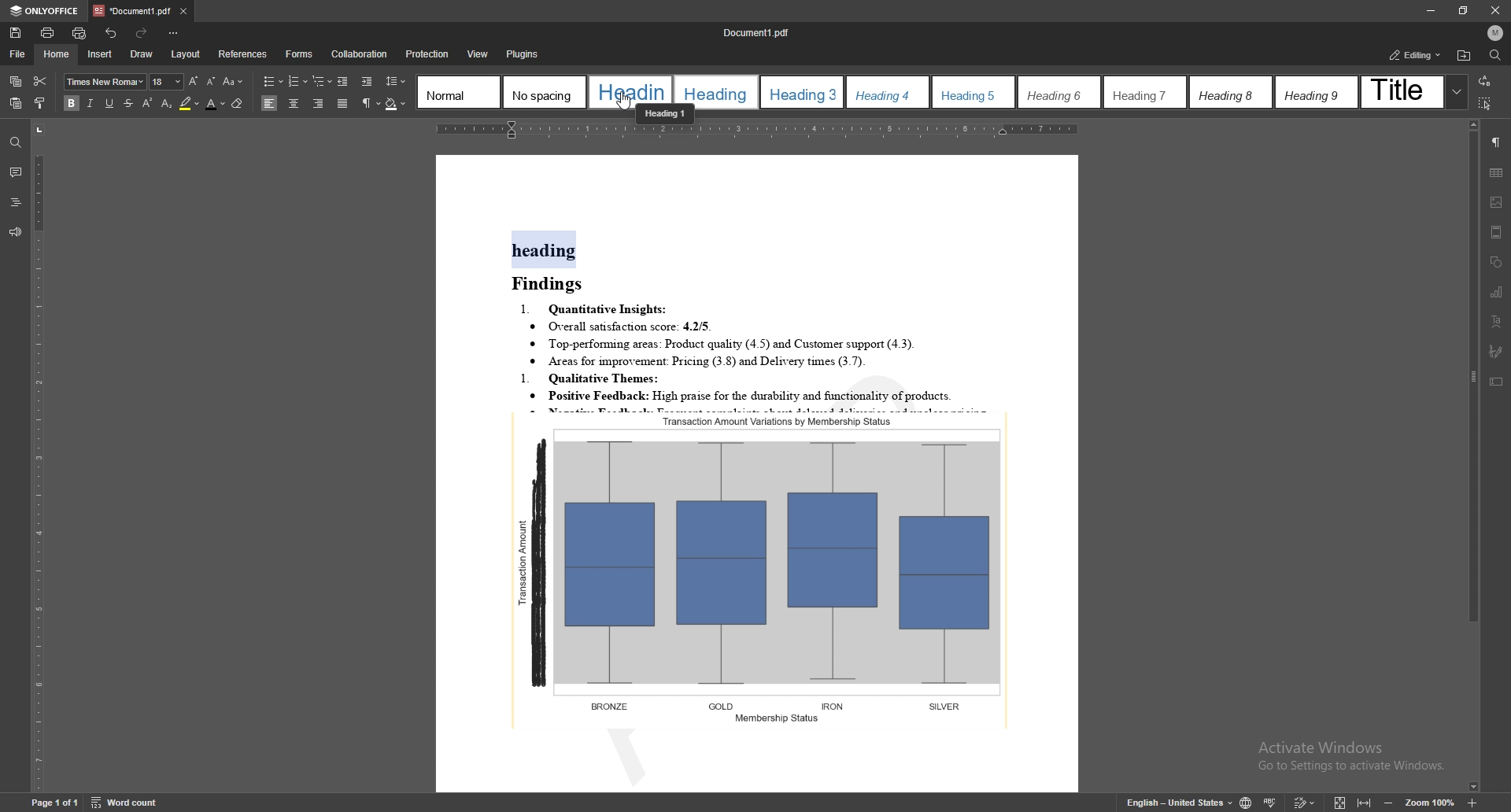  I want to click on home, so click(57, 54).